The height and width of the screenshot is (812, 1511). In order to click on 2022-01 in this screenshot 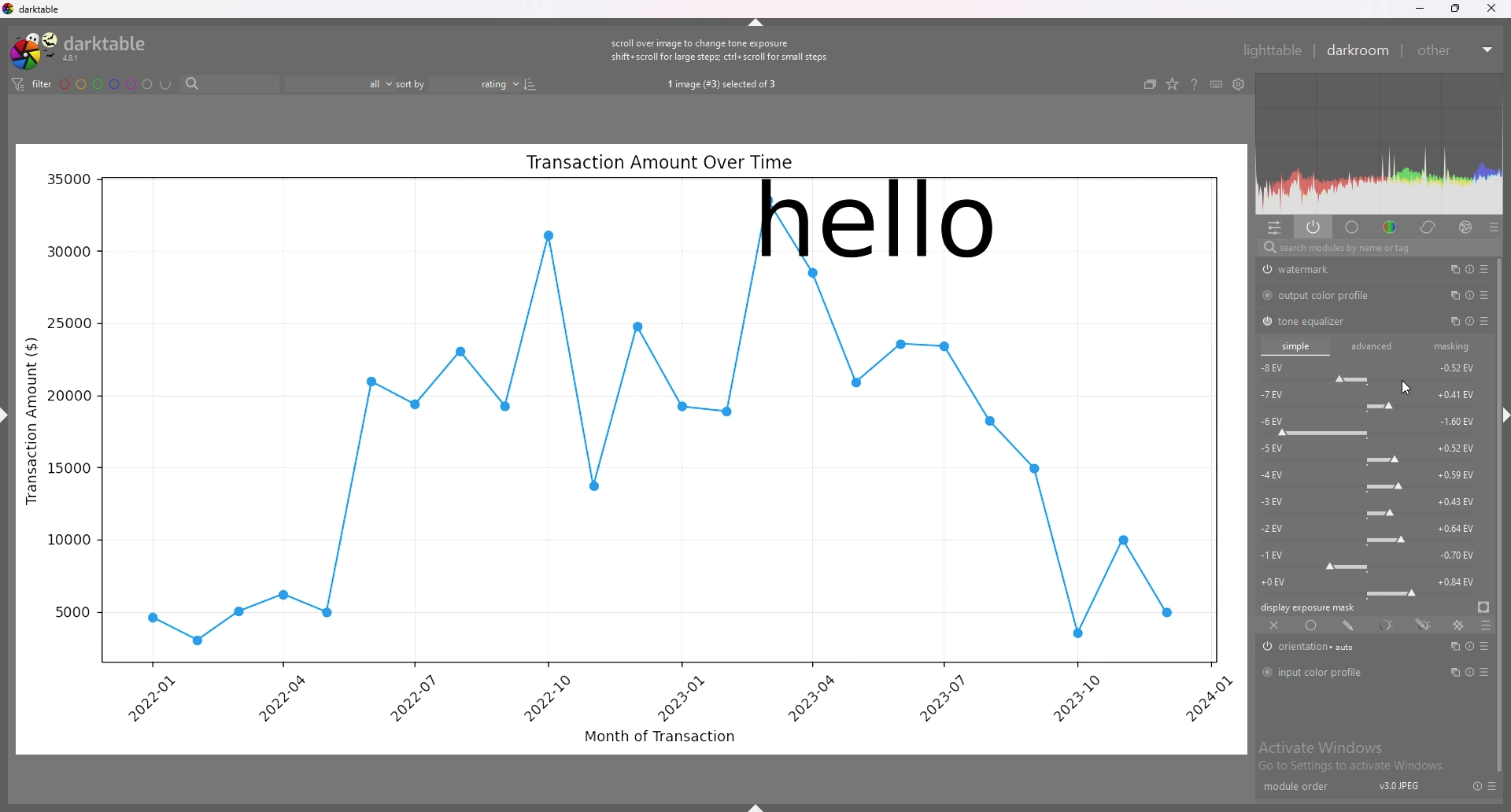, I will do `click(157, 699)`.